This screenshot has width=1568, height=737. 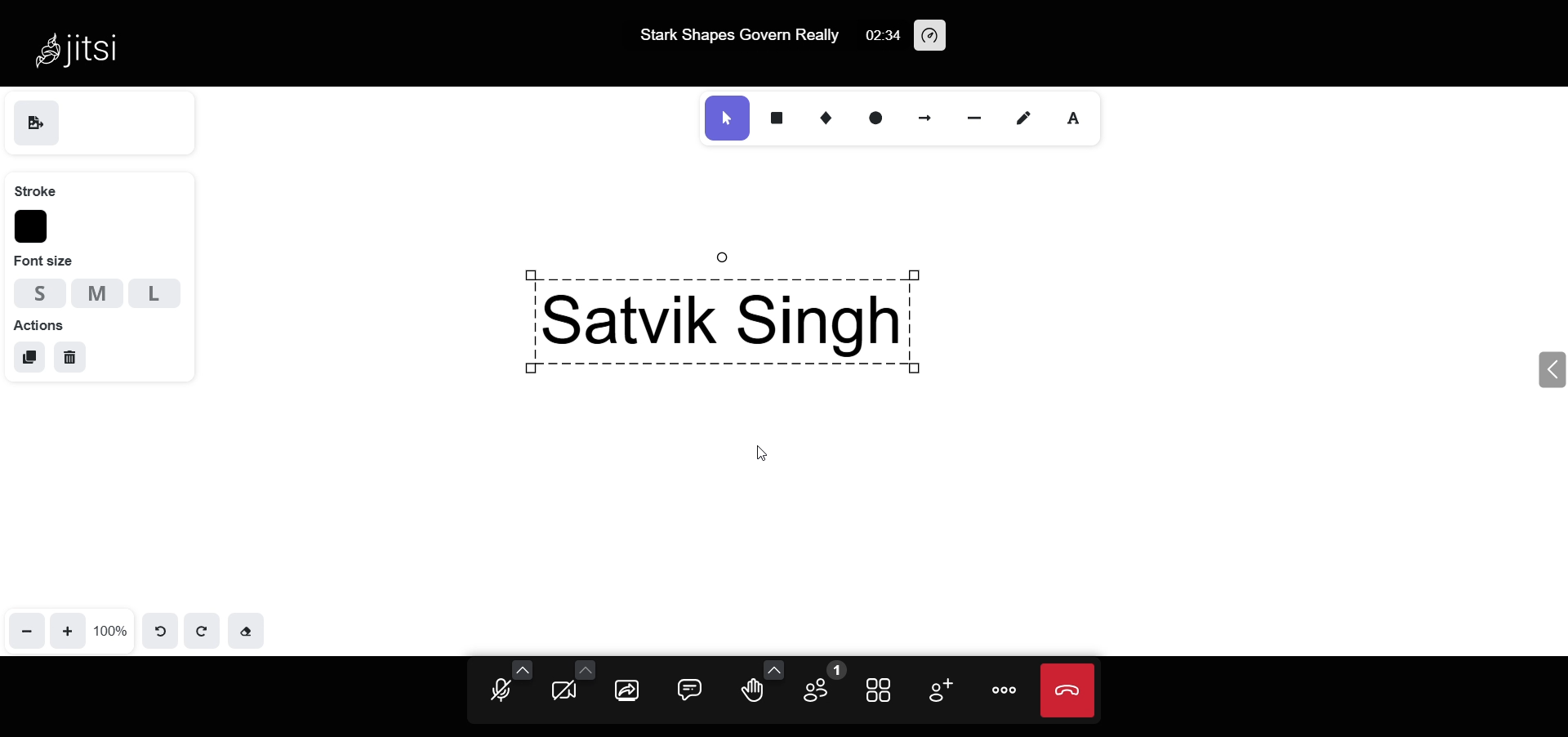 I want to click on duplicate, so click(x=30, y=357).